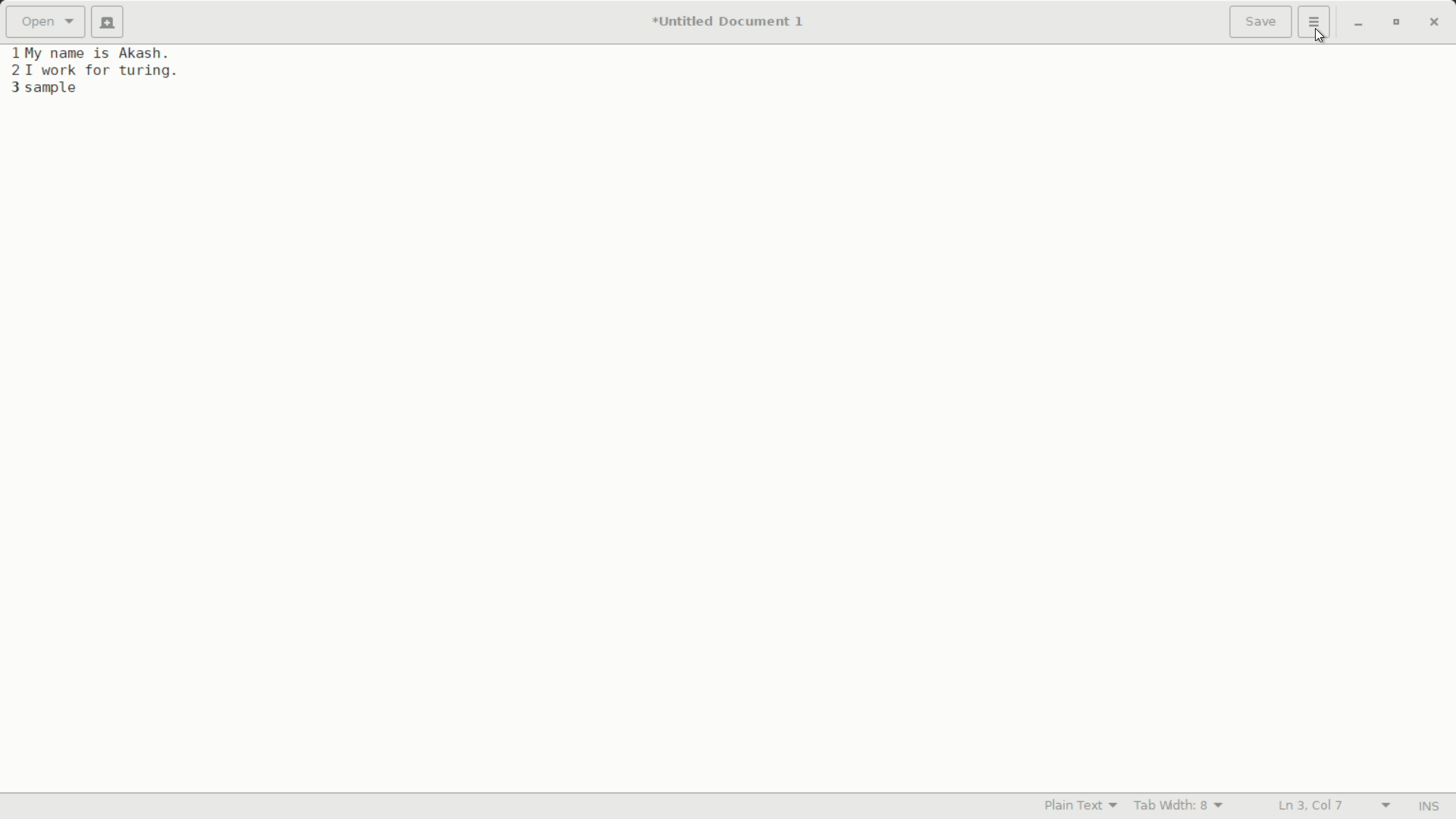 Image resolution: width=1456 pixels, height=819 pixels. Describe the element at coordinates (1428, 807) in the screenshot. I see `INS` at that location.